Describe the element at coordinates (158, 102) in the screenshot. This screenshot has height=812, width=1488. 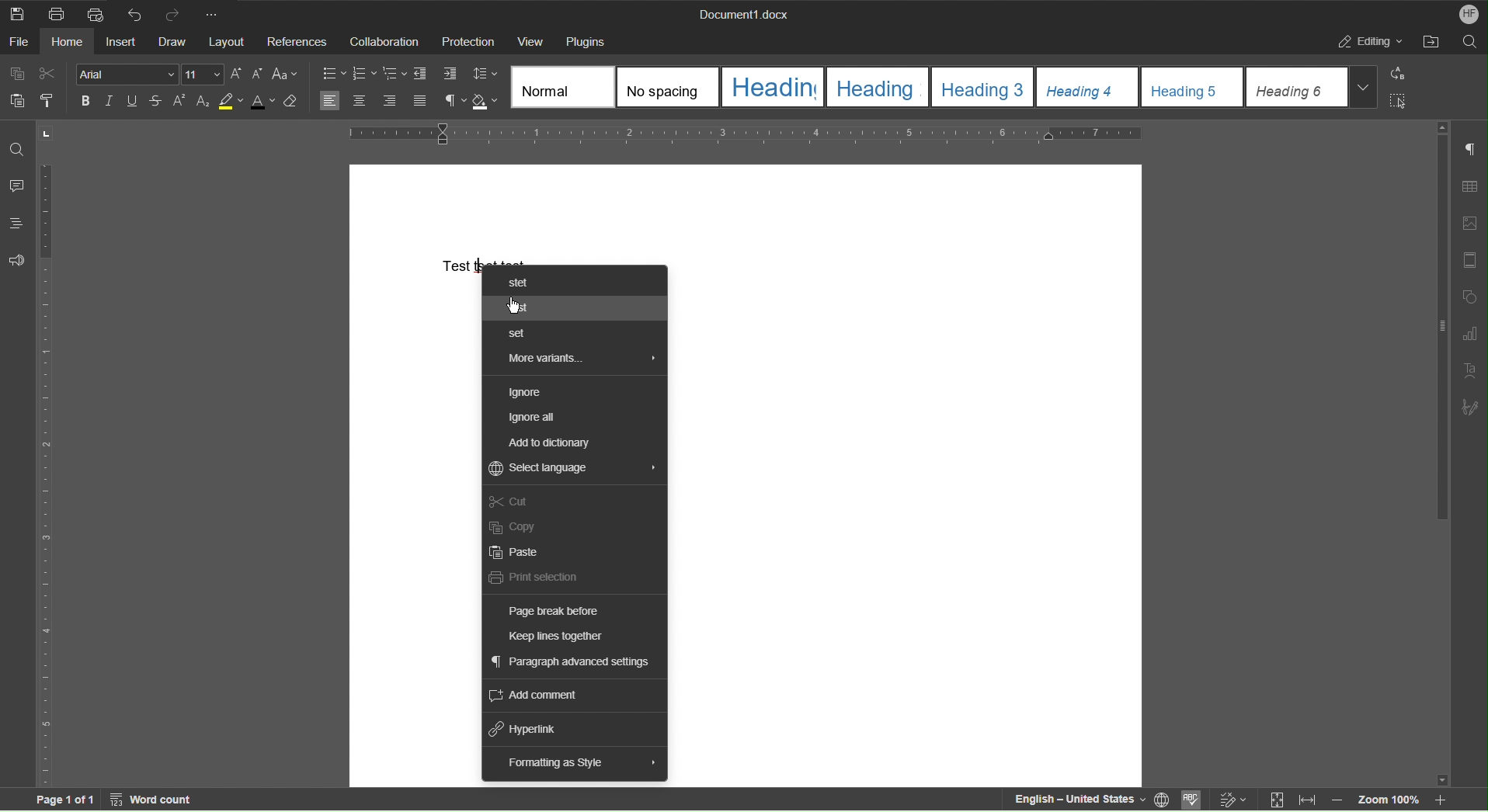
I see `Strikethrough` at that location.